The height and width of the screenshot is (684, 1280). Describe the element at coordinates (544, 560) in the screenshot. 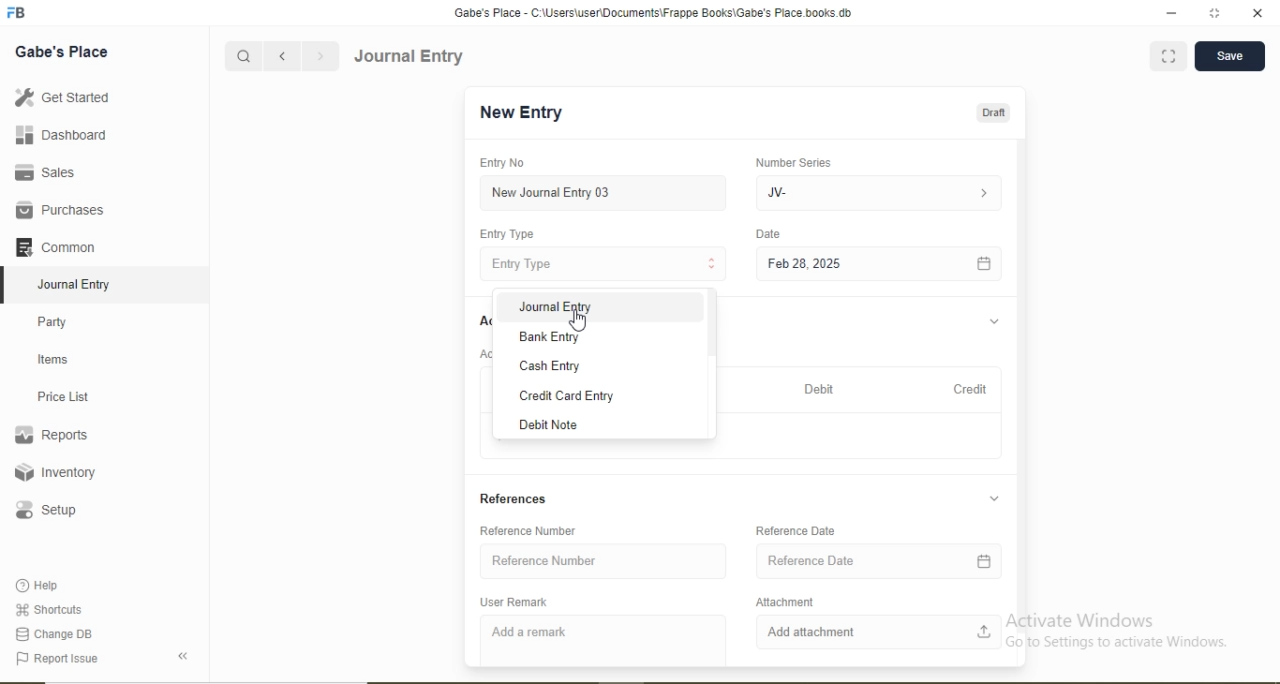

I see `Reference Number` at that location.